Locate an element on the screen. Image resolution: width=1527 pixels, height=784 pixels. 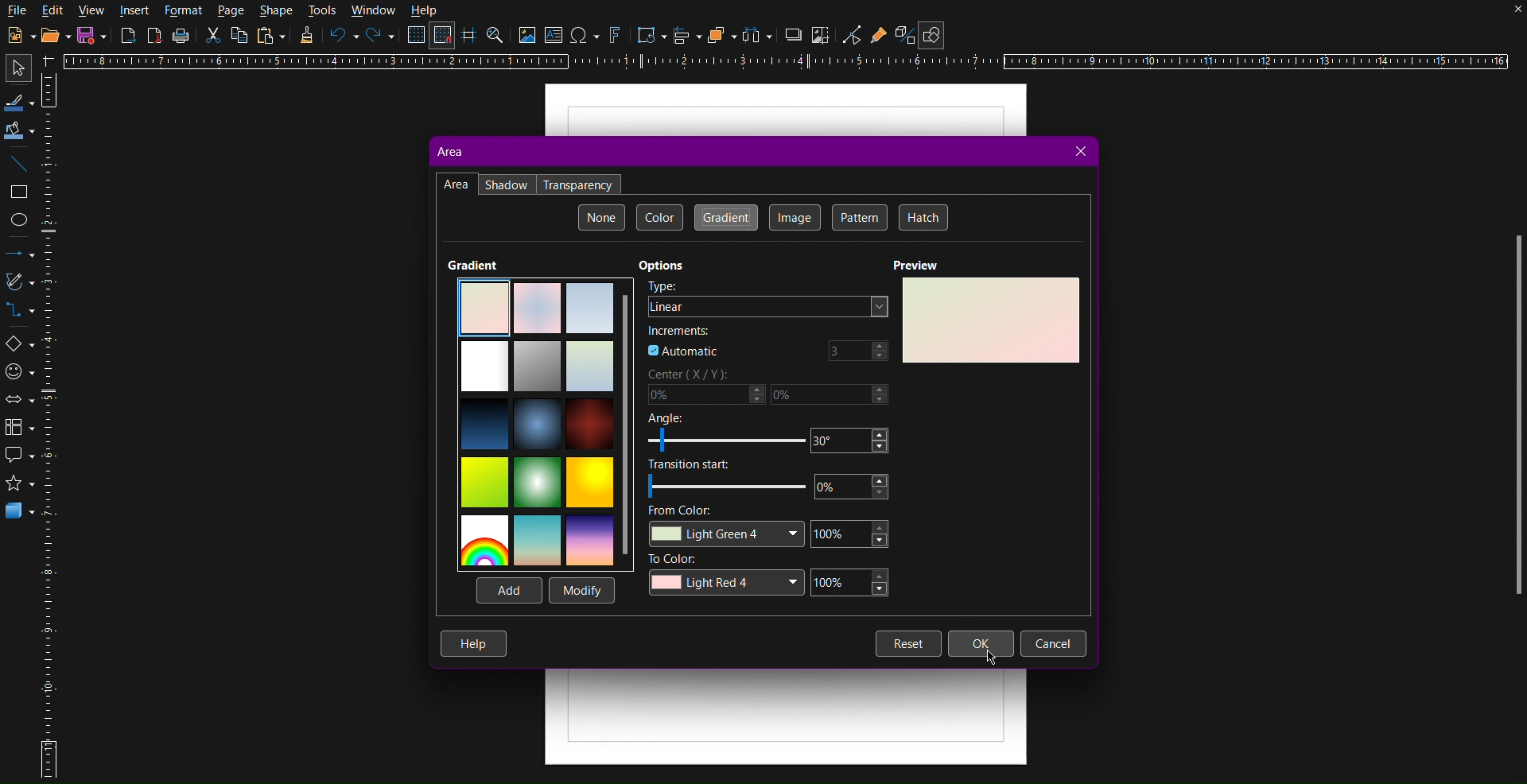
Line is located at coordinates (19, 165).